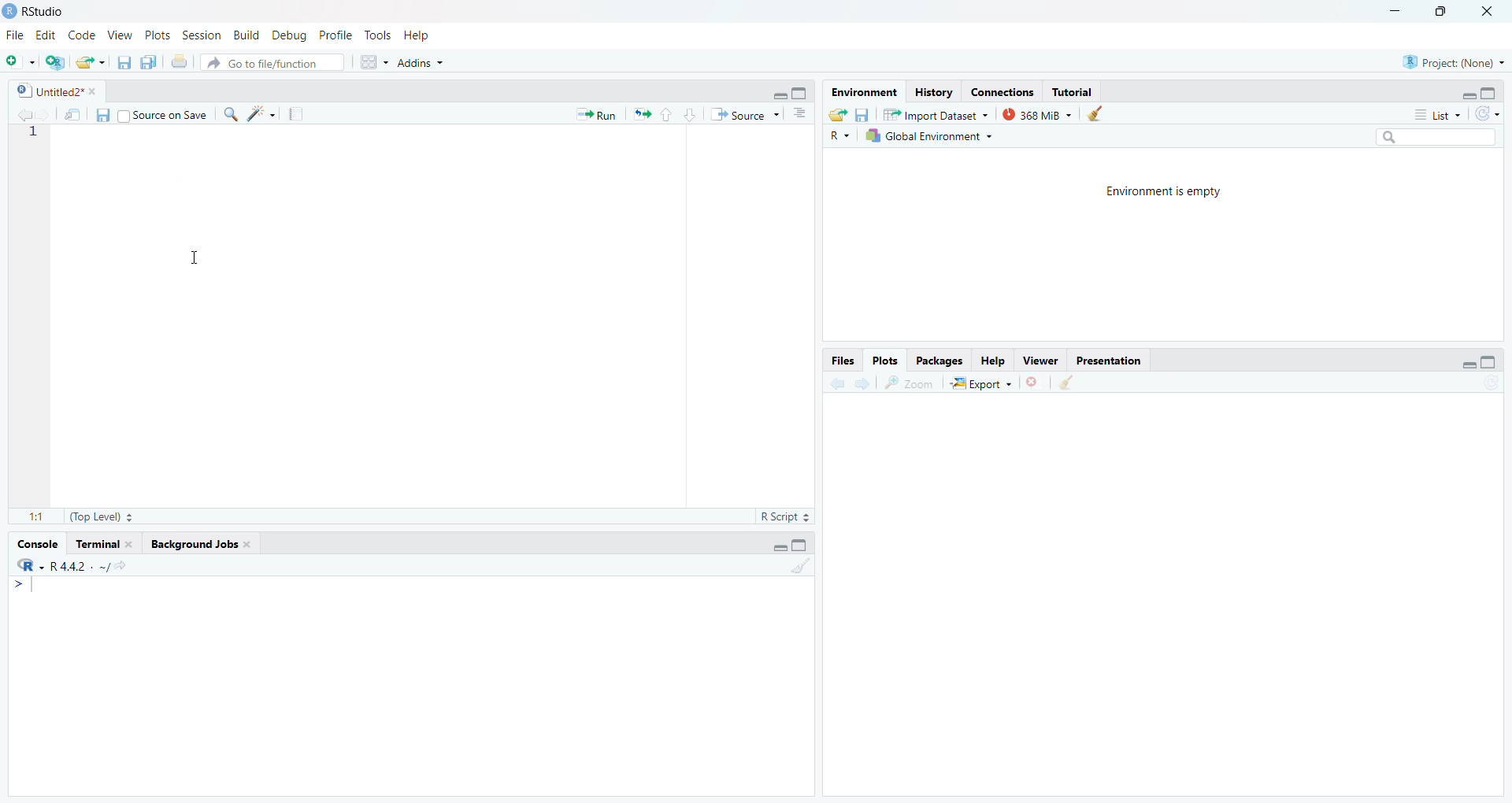 This screenshot has width=1512, height=803. What do you see at coordinates (910, 385) in the screenshot?
I see `zoom` at bounding box center [910, 385].